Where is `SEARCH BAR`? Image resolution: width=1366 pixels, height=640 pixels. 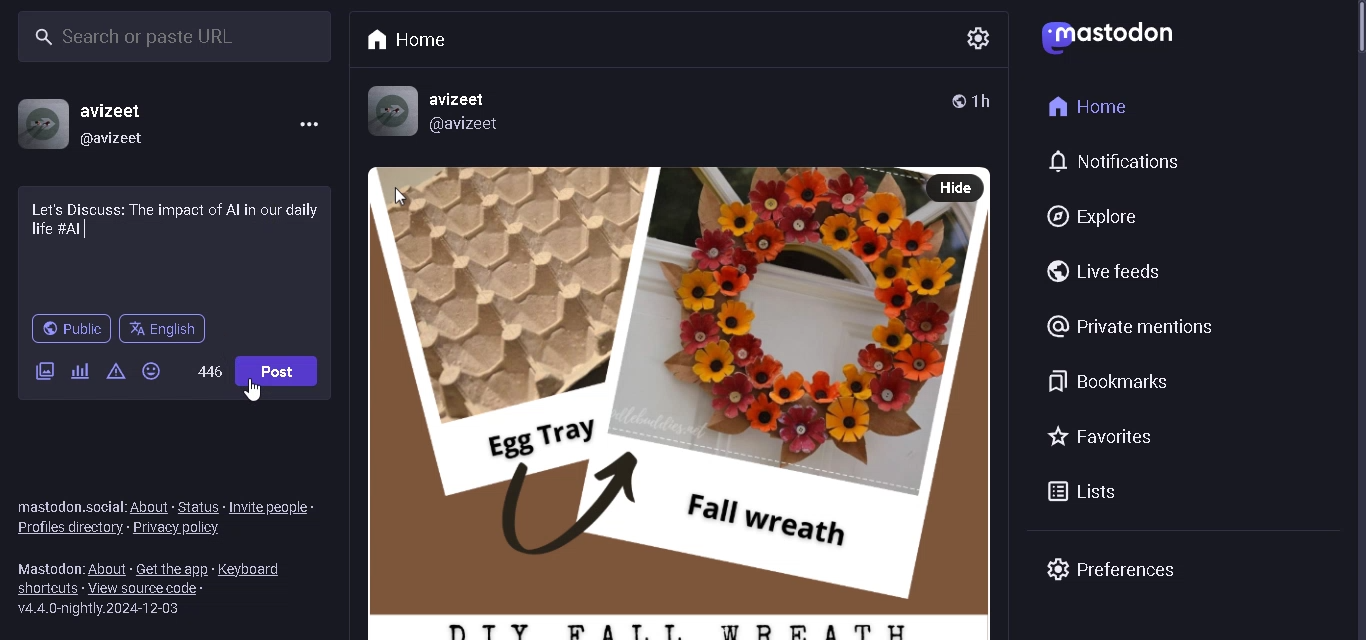
SEARCH BAR is located at coordinates (177, 38).